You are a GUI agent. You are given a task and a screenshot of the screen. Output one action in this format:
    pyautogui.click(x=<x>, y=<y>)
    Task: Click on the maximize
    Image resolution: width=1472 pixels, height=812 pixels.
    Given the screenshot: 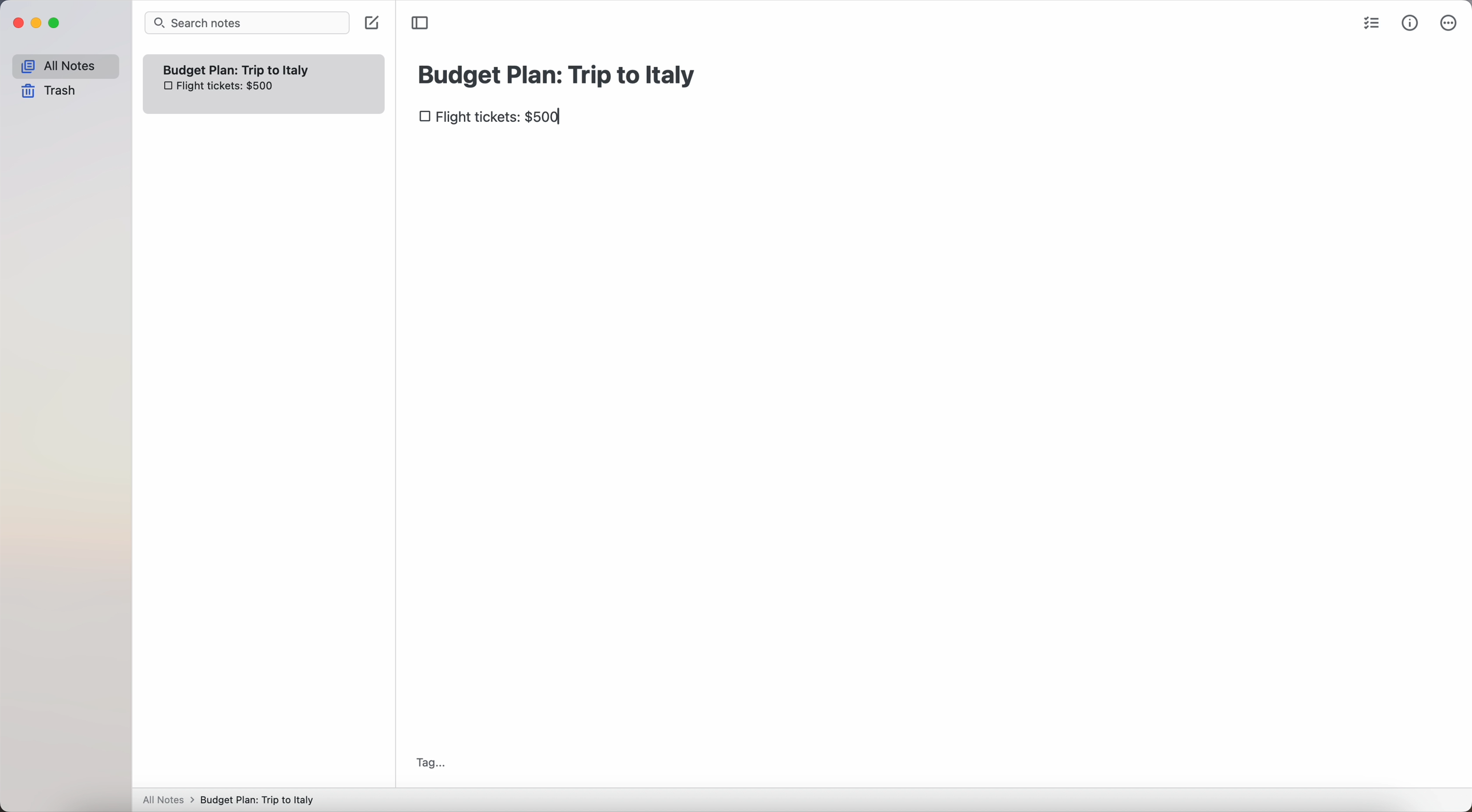 What is the action you would take?
    pyautogui.click(x=57, y=23)
    